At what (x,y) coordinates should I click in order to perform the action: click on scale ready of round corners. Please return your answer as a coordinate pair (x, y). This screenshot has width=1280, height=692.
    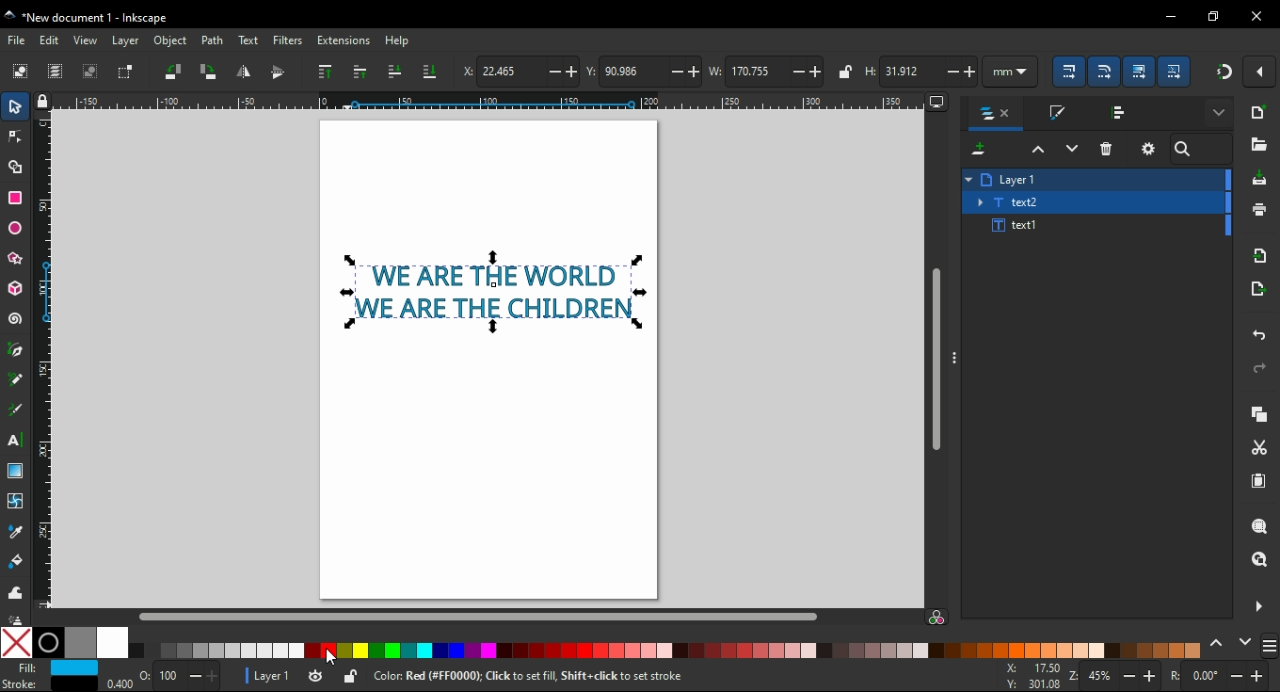
    Looking at the image, I should click on (1105, 72).